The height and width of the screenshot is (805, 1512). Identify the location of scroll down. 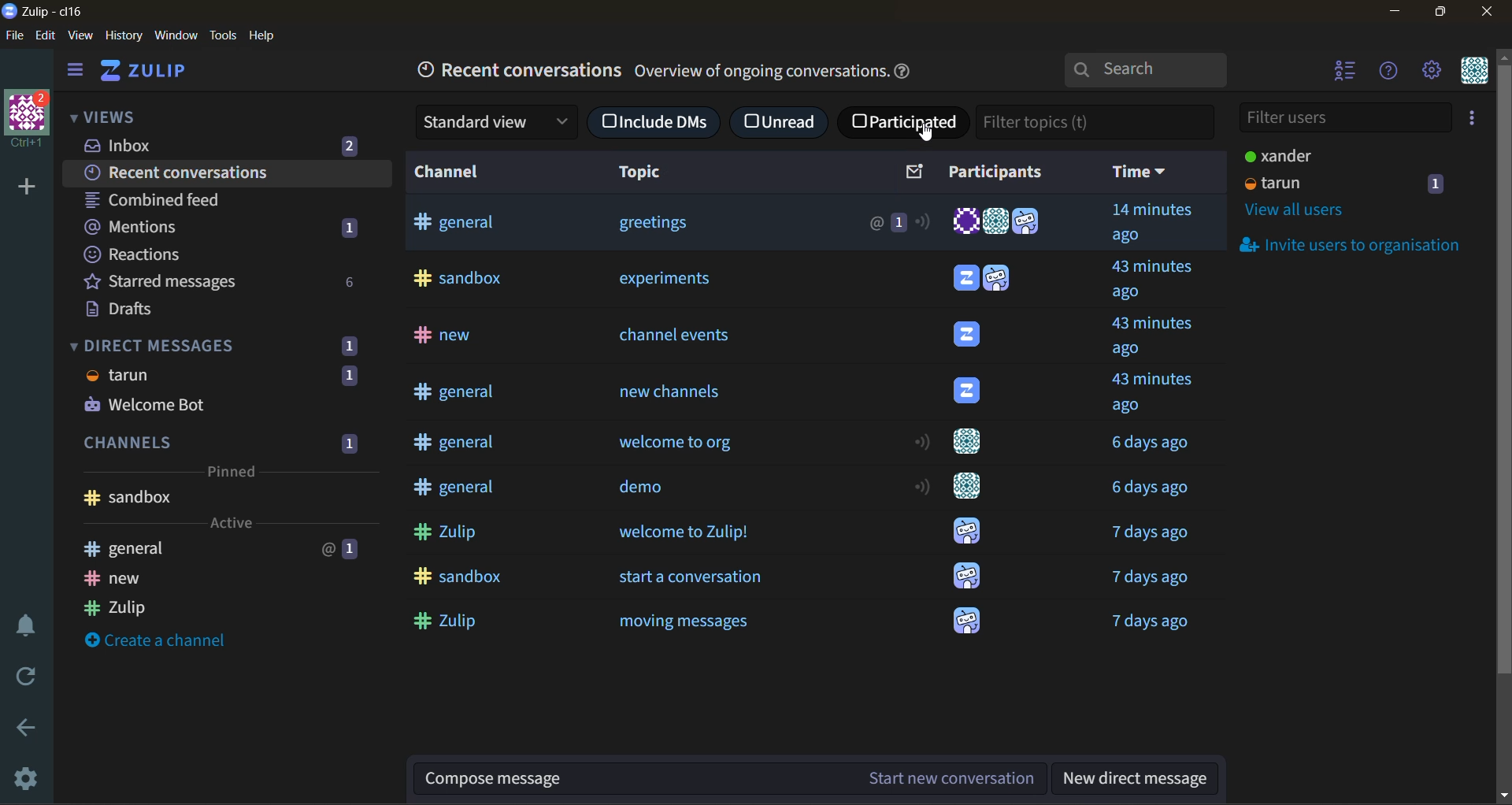
(1503, 796).